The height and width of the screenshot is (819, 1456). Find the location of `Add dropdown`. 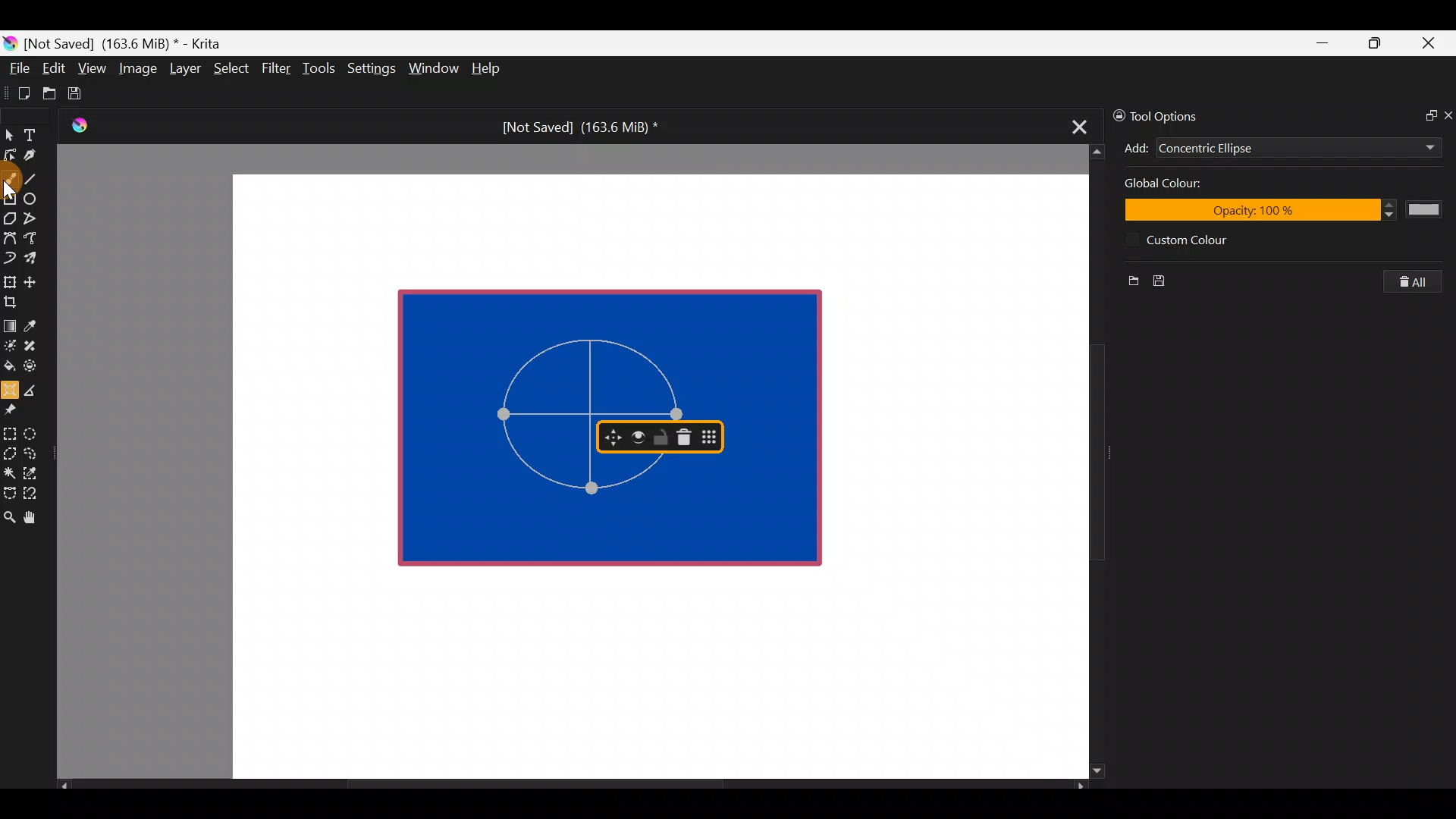

Add dropdown is located at coordinates (1410, 147).